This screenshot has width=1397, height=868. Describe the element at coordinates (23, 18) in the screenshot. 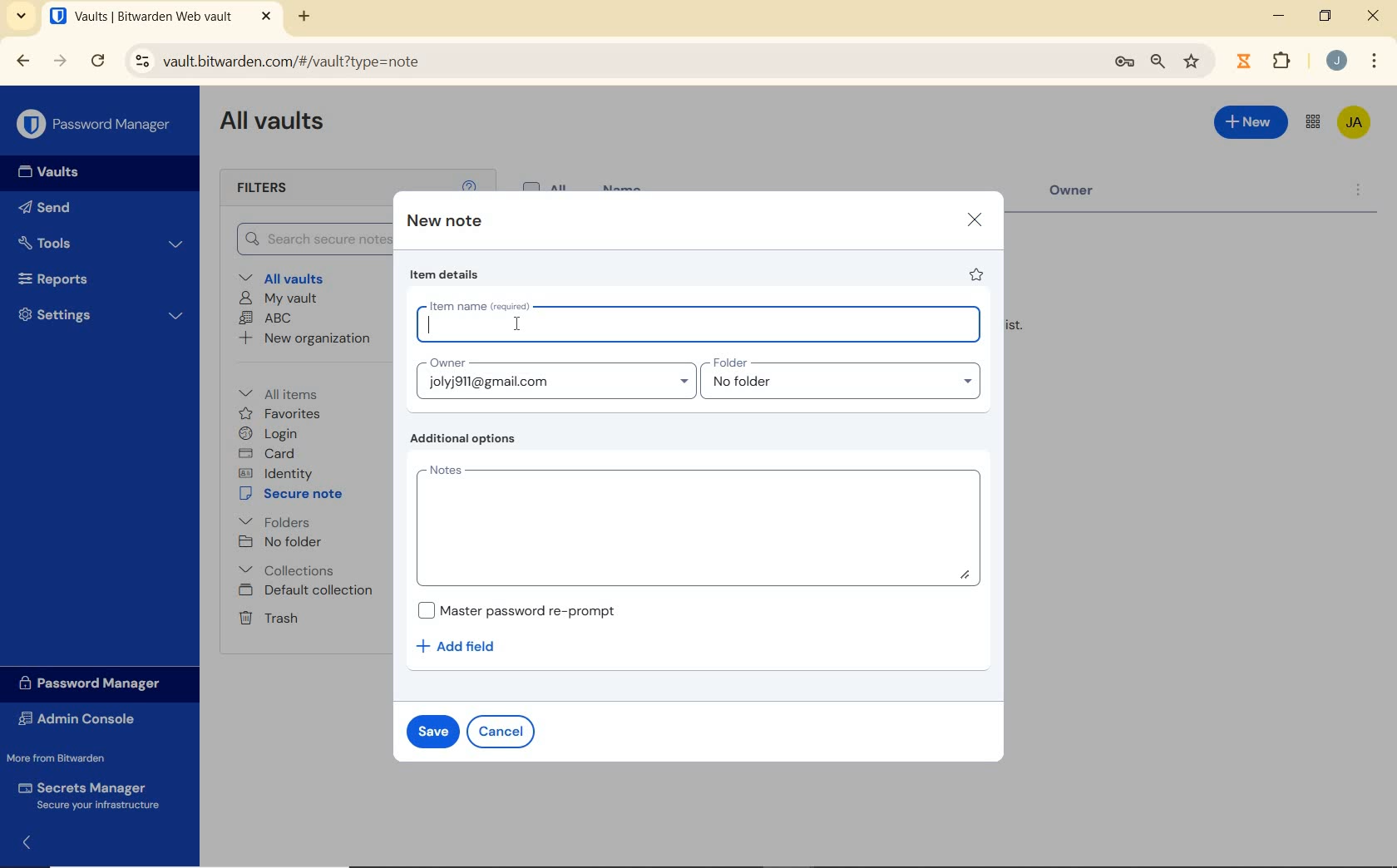

I see `search tabs` at that location.